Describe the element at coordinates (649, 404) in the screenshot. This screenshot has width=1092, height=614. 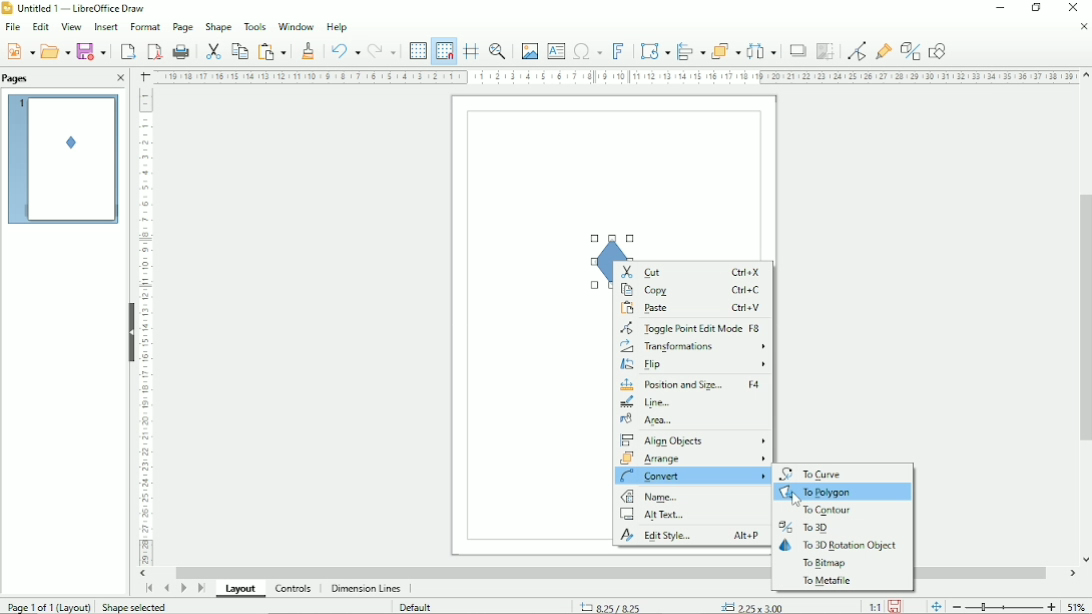
I see `Line` at that location.